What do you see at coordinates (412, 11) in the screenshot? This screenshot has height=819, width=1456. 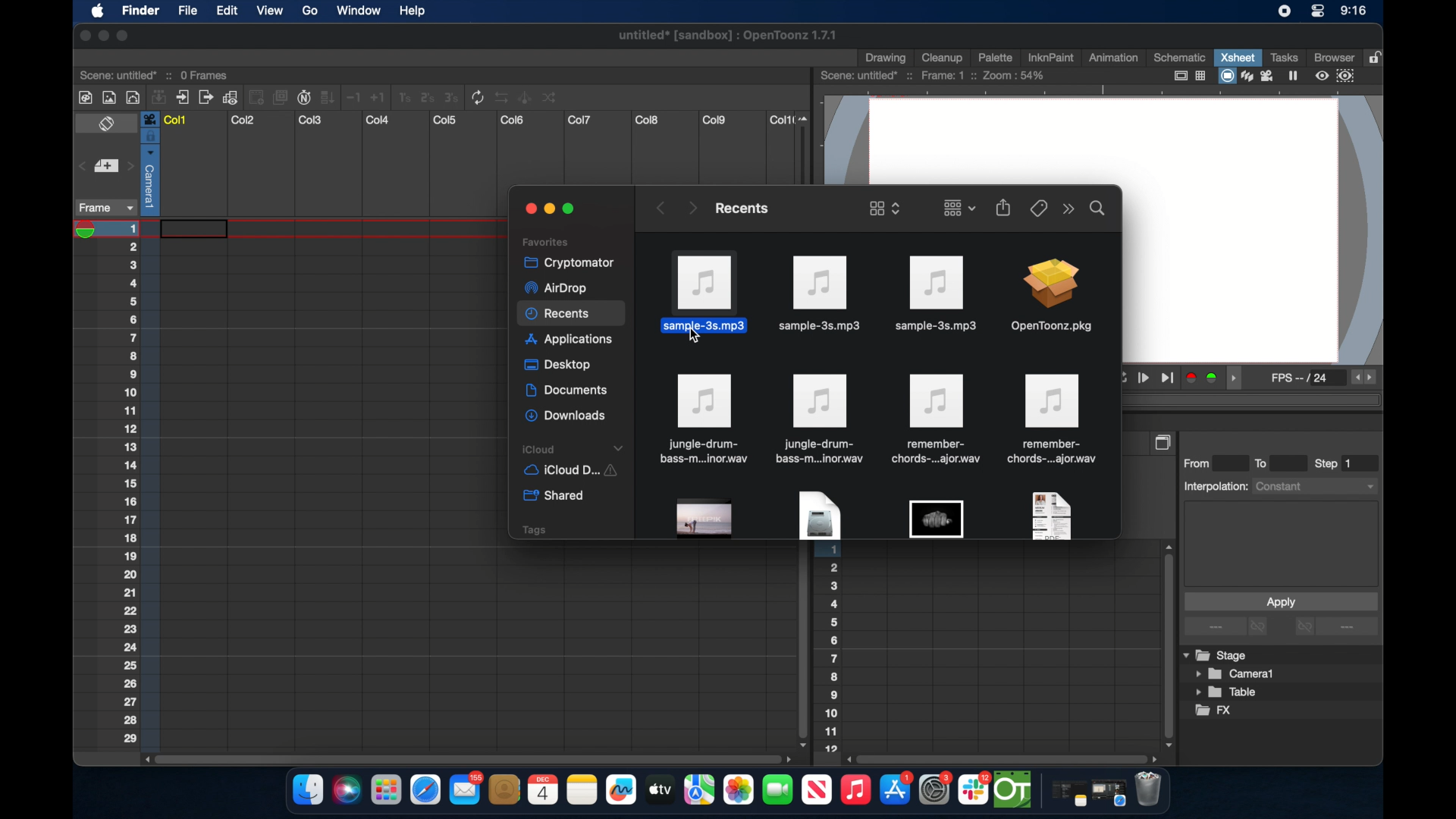 I see `help` at bounding box center [412, 11].